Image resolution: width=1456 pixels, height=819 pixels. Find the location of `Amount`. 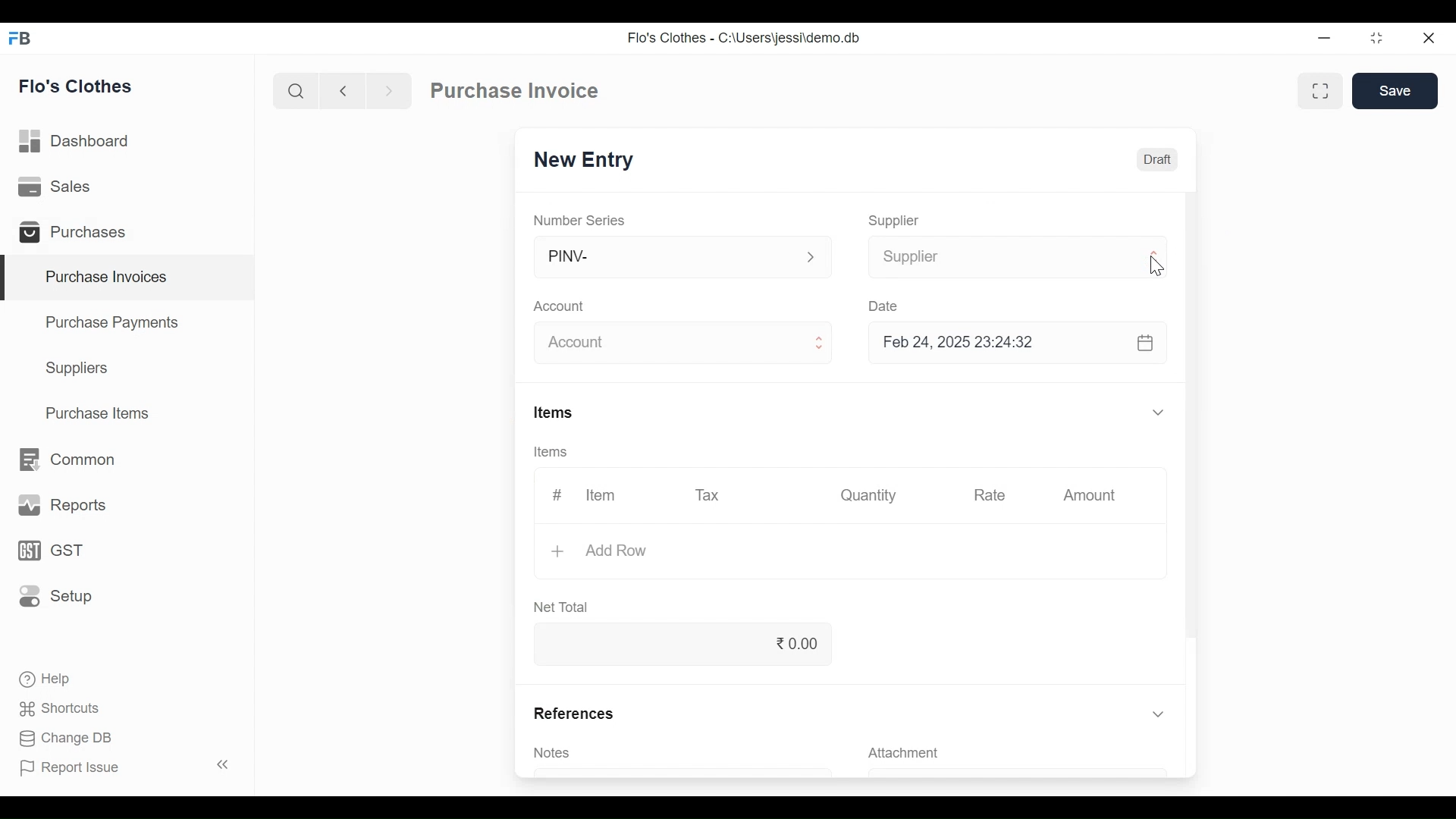

Amount is located at coordinates (1090, 495).